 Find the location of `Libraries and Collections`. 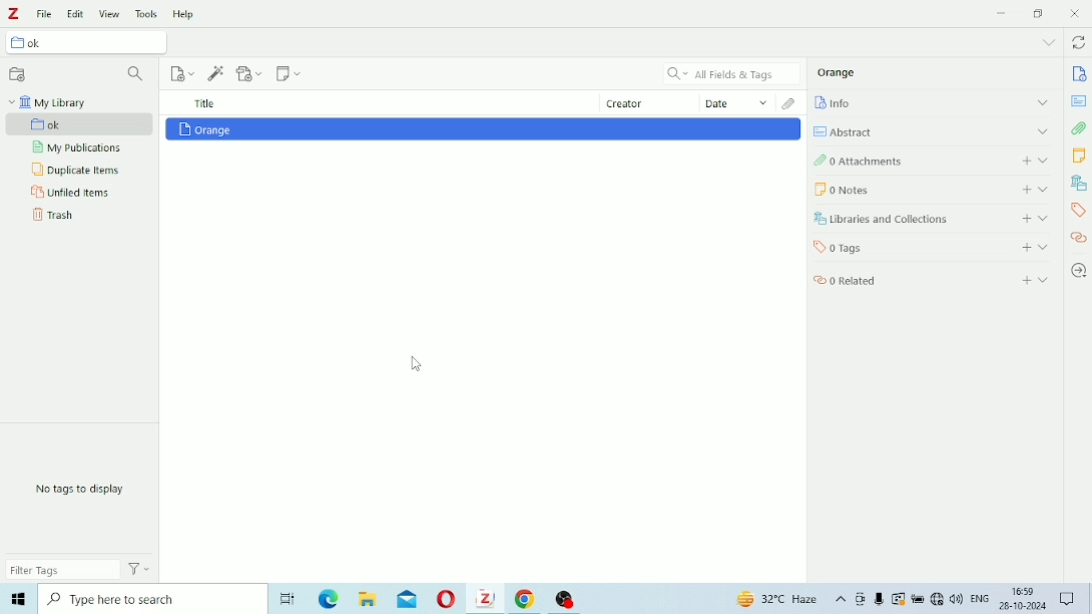

Libraries and Collections is located at coordinates (932, 219).